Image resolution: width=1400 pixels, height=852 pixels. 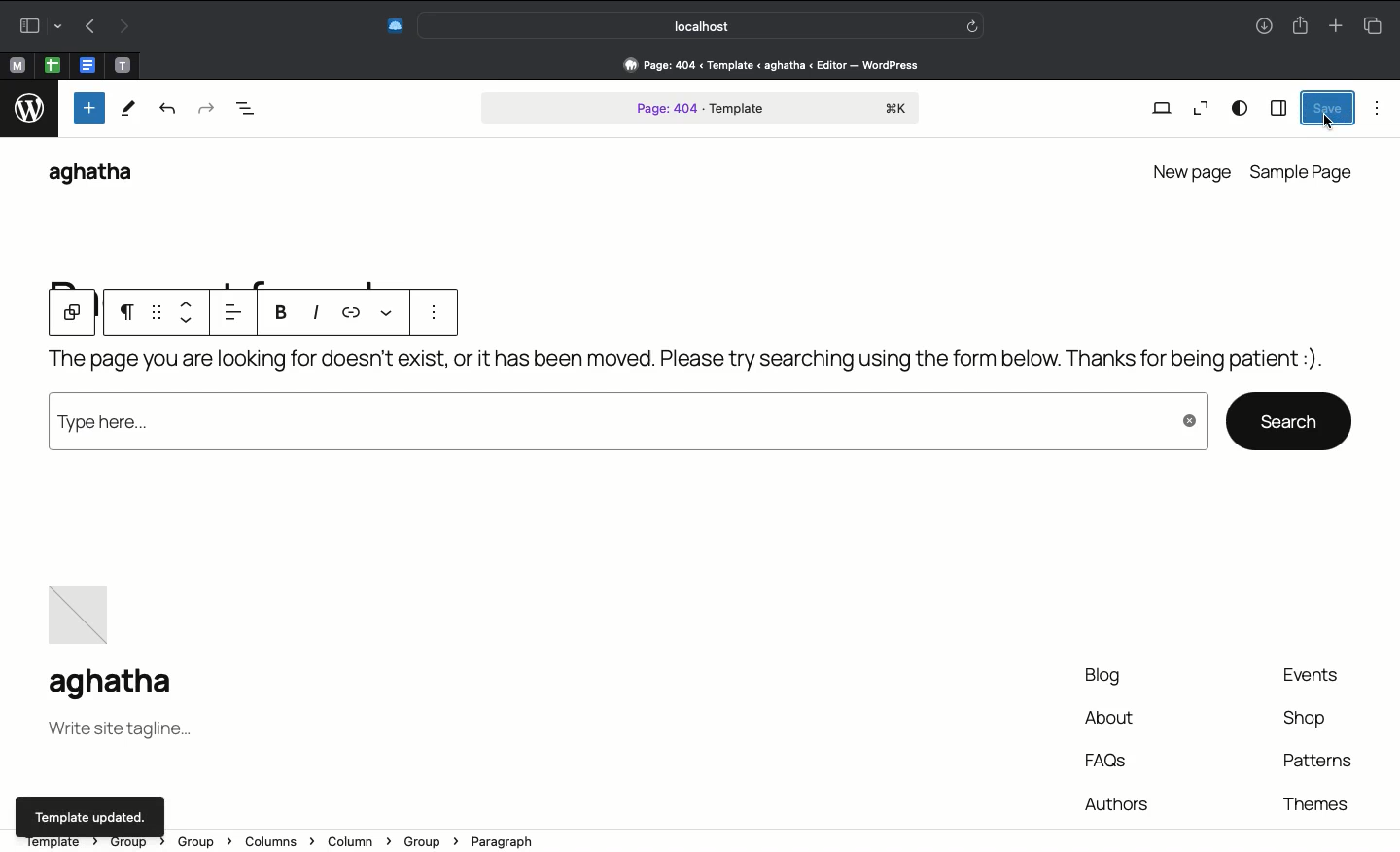 What do you see at coordinates (122, 66) in the screenshot?
I see `open tab` at bounding box center [122, 66].